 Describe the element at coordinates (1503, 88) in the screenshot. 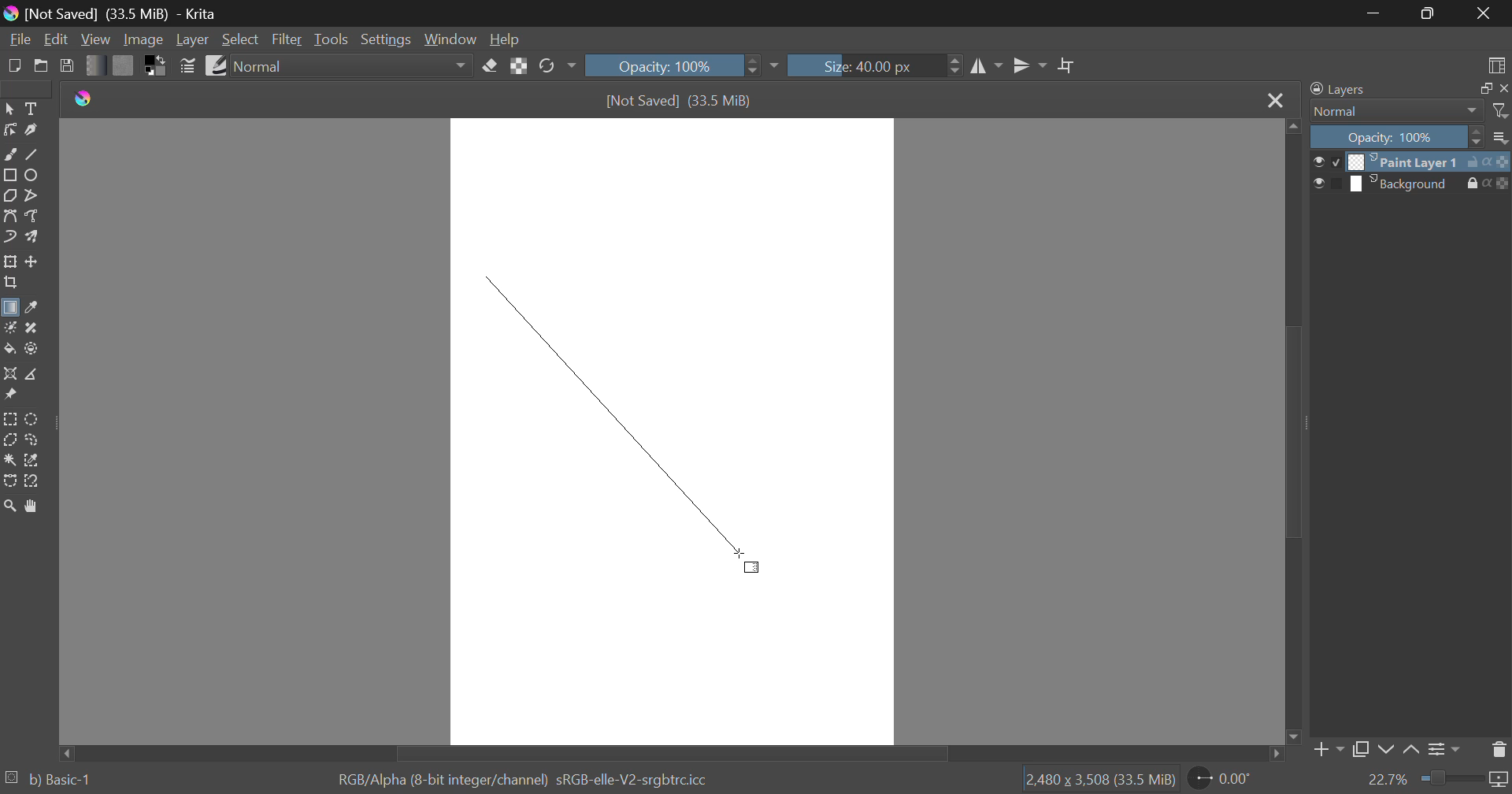

I see `close` at that location.